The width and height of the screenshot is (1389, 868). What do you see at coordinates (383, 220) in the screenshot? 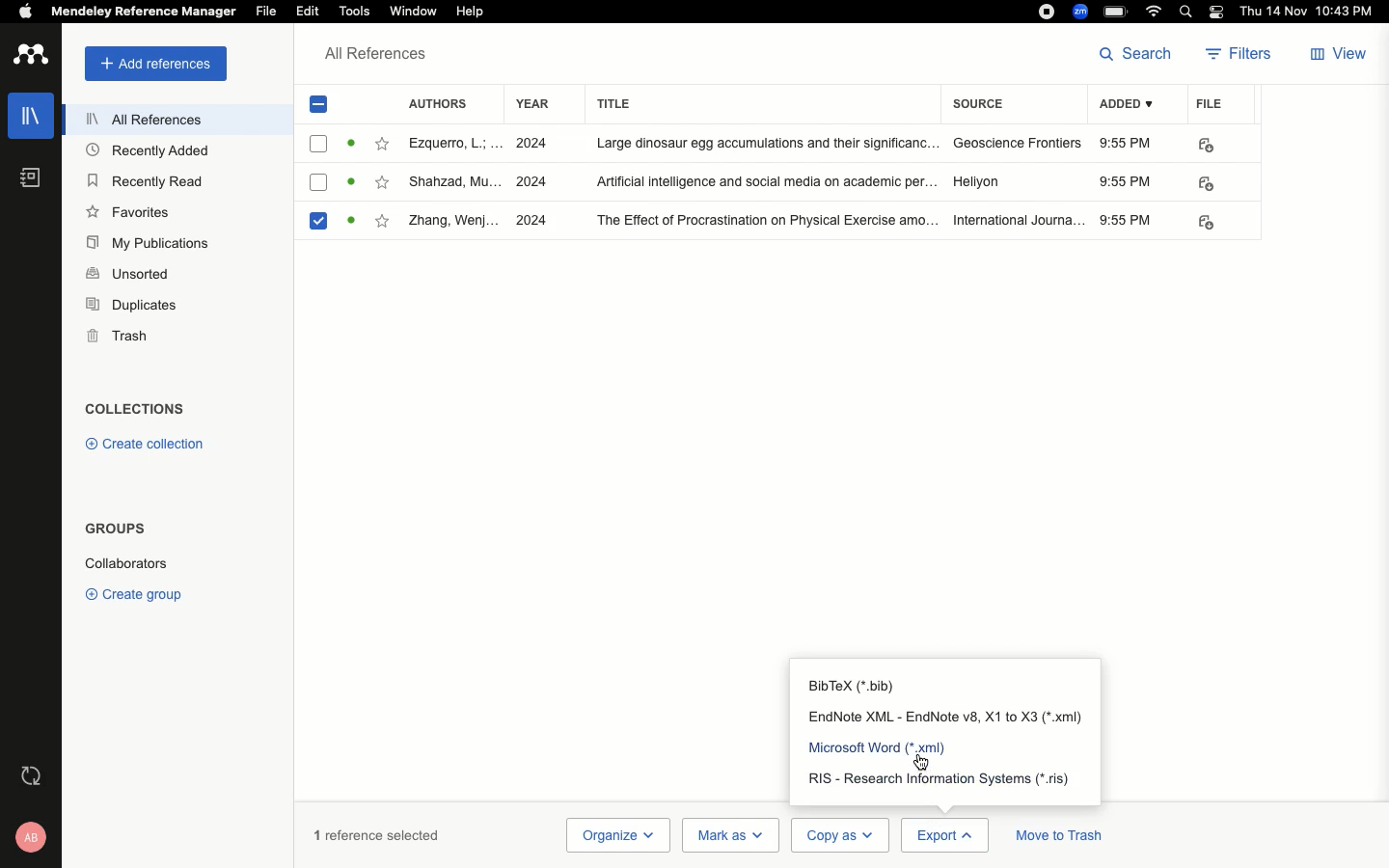
I see `favourite` at bounding box center [383, 220].